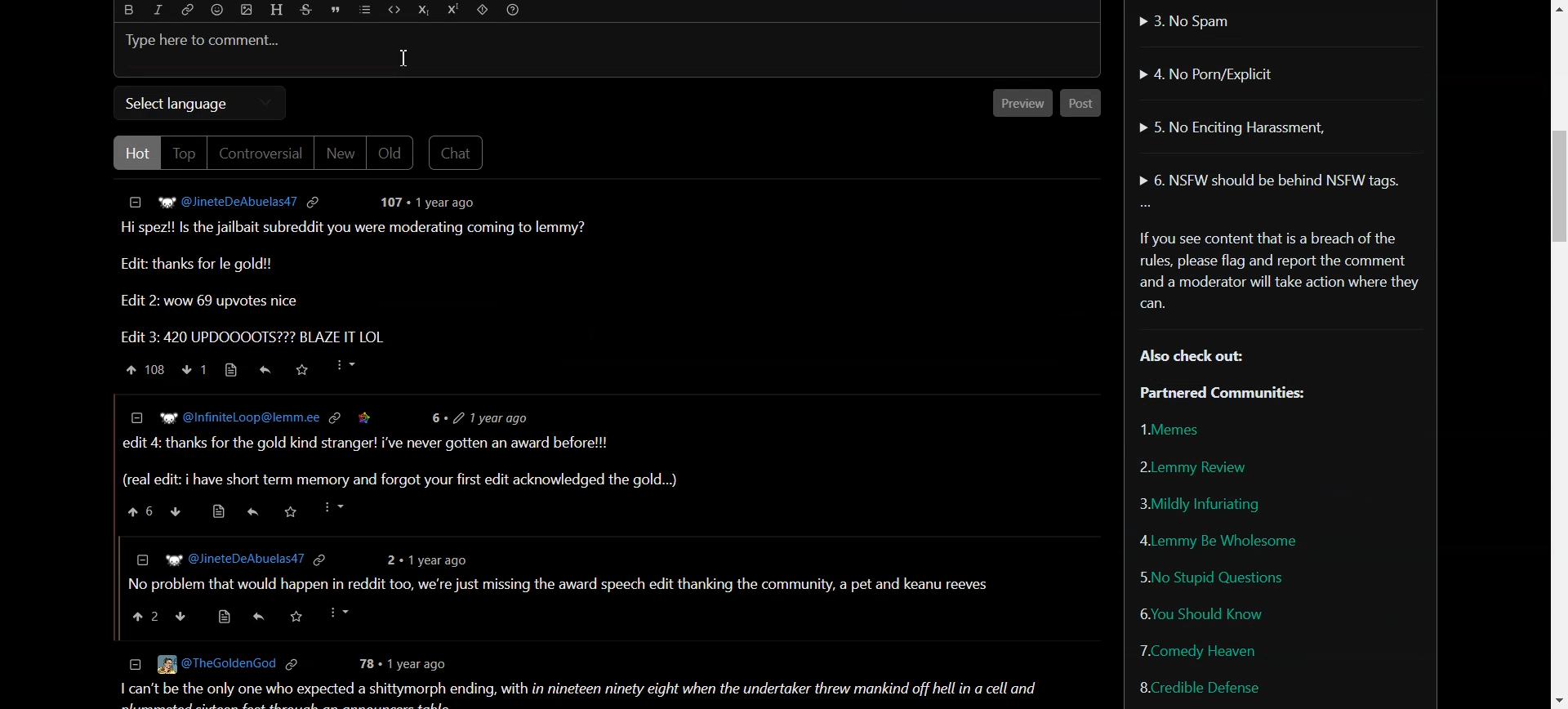  Describe the element at coordinates (225, 664) in the screenshot. I see `© [Eg @TheGoldenGod` at that location.